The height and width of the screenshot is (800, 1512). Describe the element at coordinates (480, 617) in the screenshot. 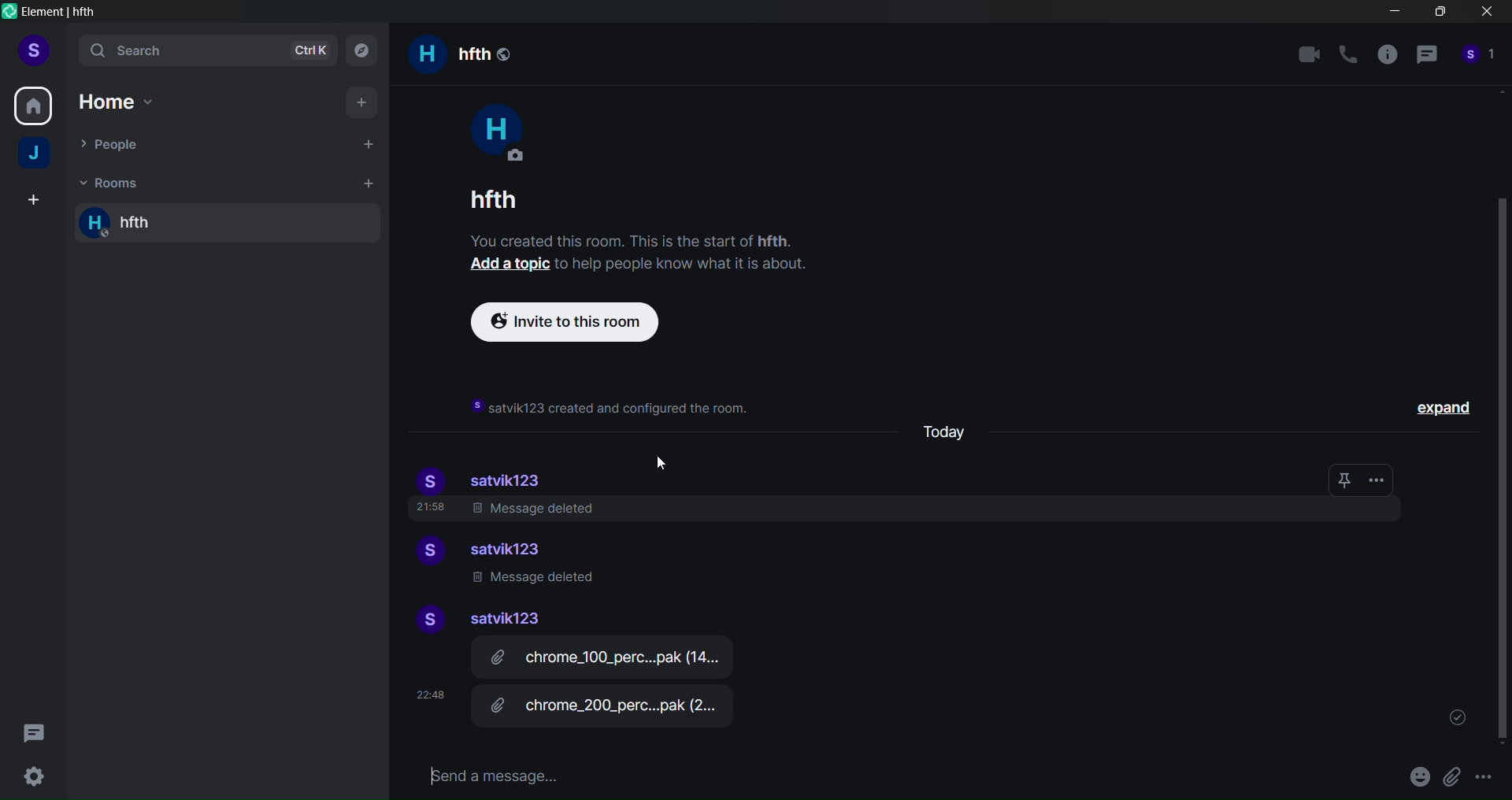

I see `User` at that location.